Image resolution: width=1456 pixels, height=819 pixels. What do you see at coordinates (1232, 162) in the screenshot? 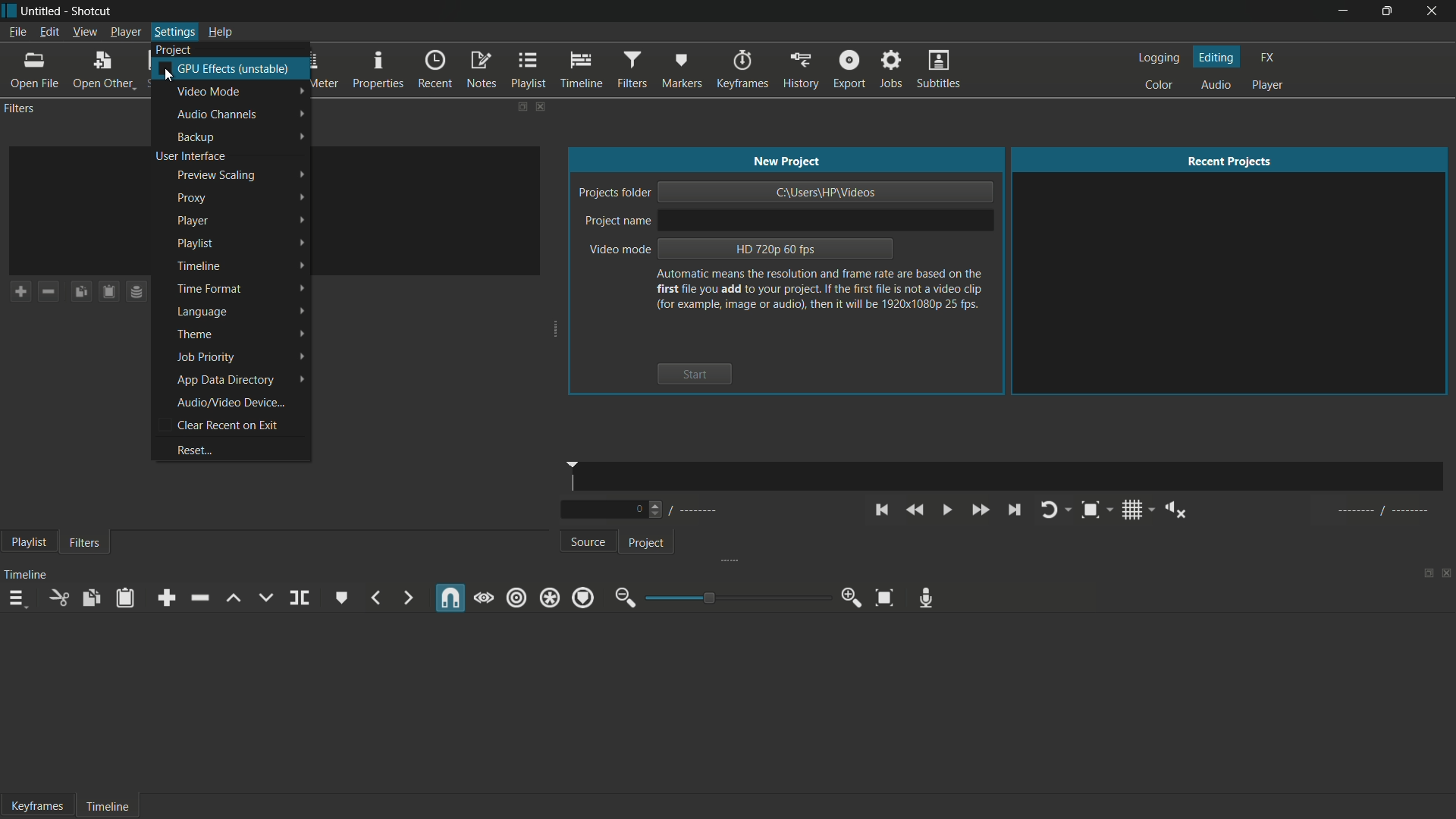
I see `recent projects` at bounding box center [1232, 162].